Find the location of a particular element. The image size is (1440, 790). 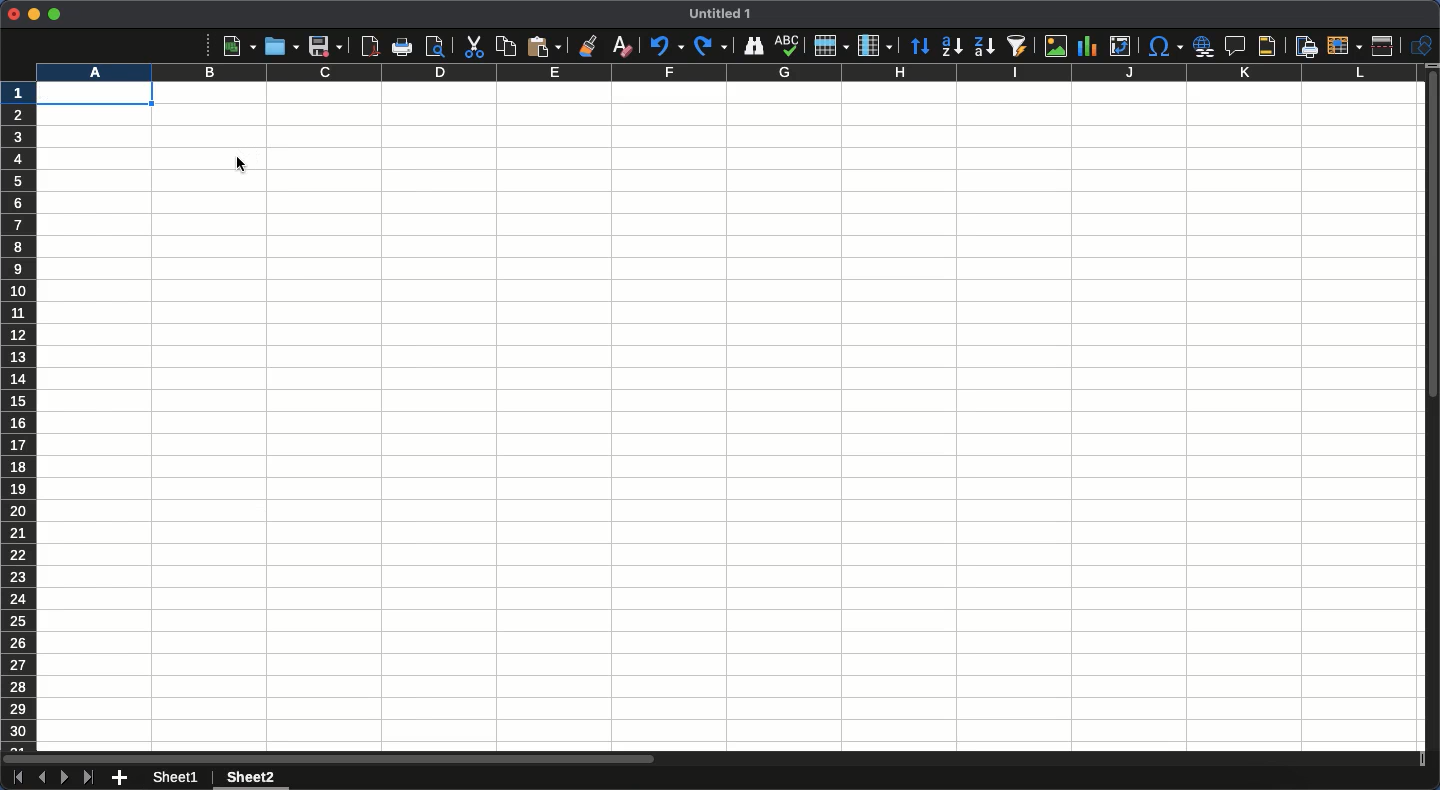

Autofilter is located at coordinates (1016, 46).